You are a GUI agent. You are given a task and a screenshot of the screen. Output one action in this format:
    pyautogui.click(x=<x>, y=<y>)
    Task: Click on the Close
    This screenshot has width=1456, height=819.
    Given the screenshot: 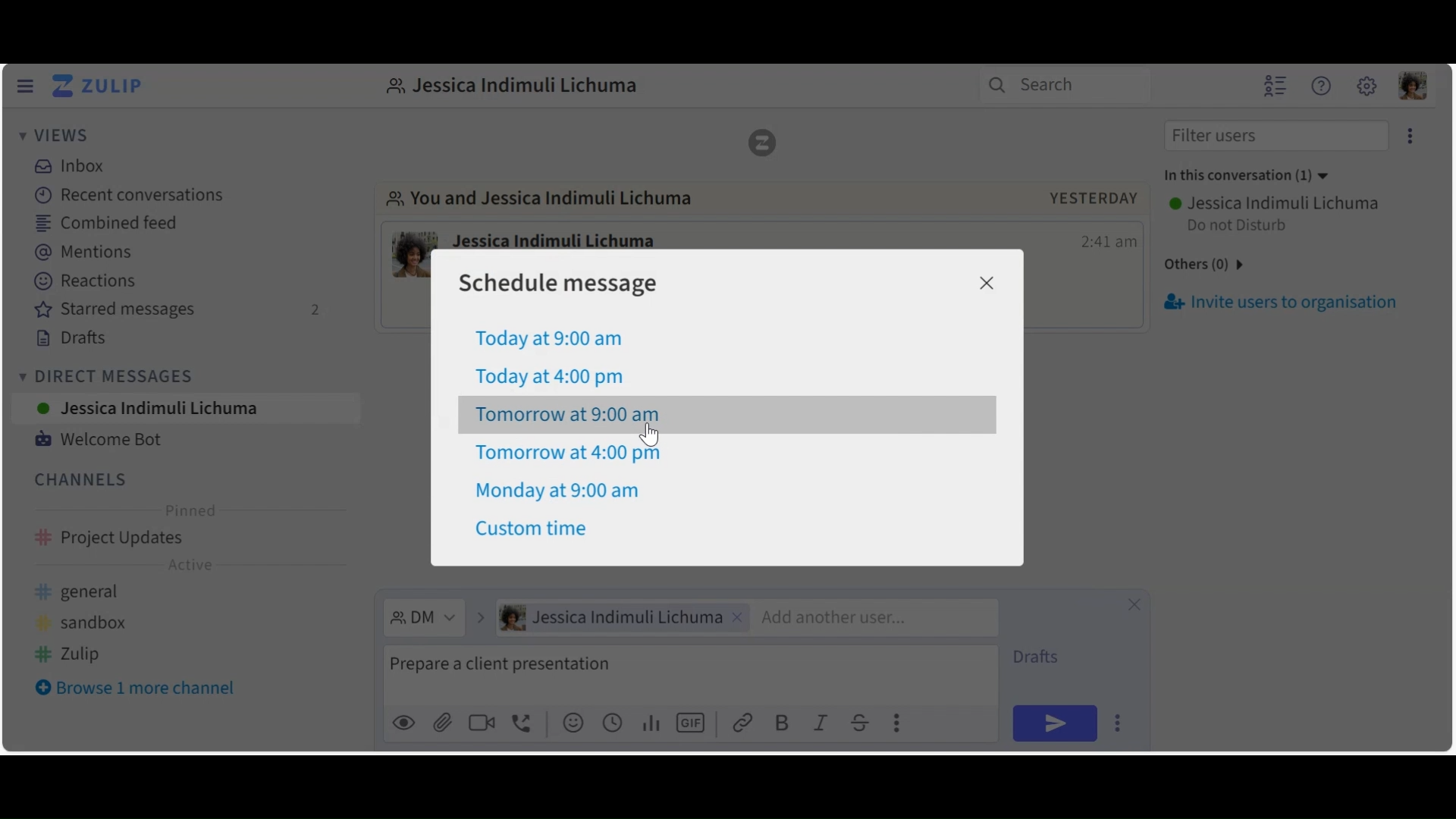 What is the action you would take?
    pyautogui.click(x=1134, y=603)
    